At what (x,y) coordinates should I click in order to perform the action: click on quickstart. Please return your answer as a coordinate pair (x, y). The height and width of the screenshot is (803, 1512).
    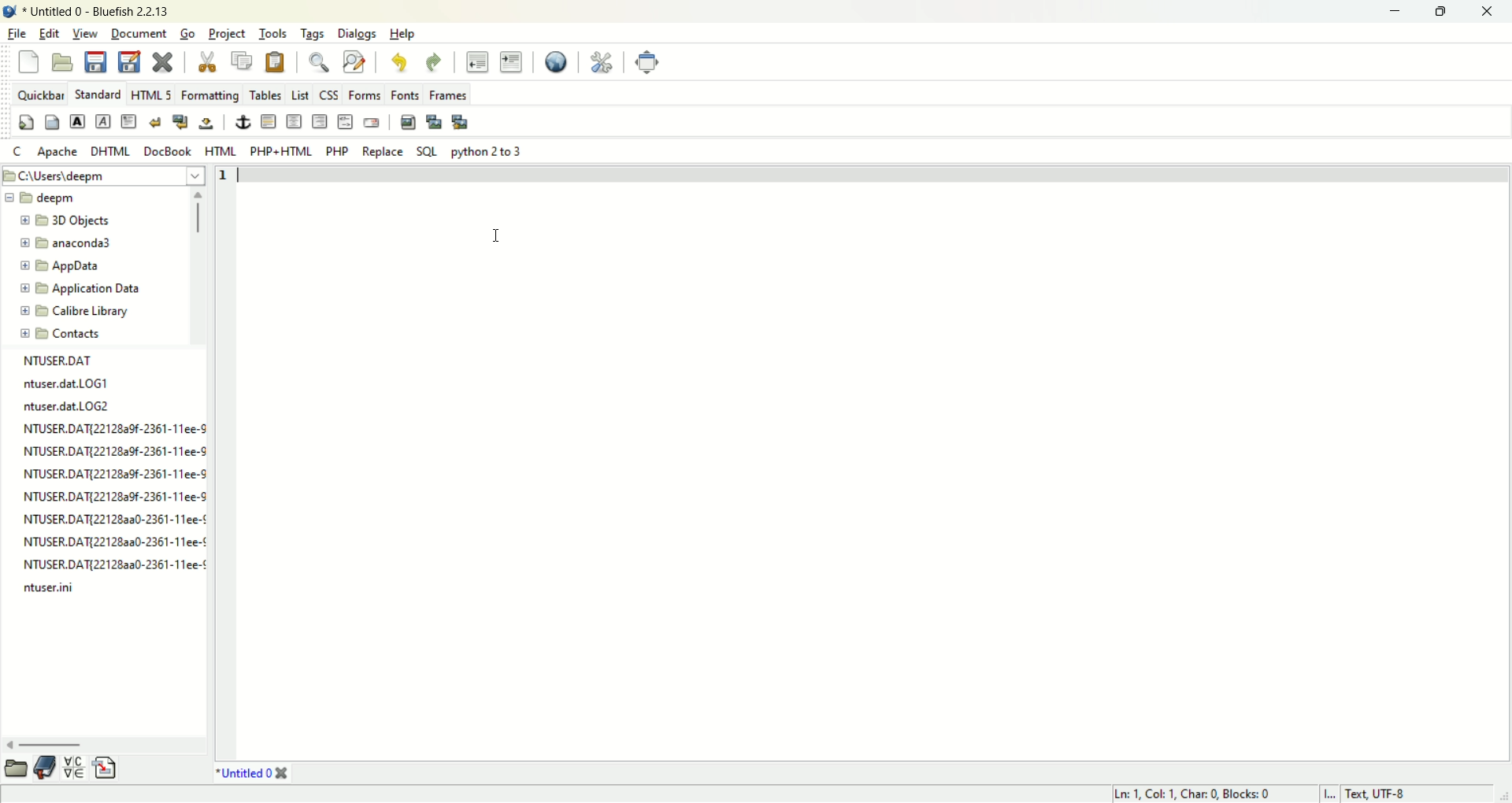
    Looking at the image, I should click on (26, 120).